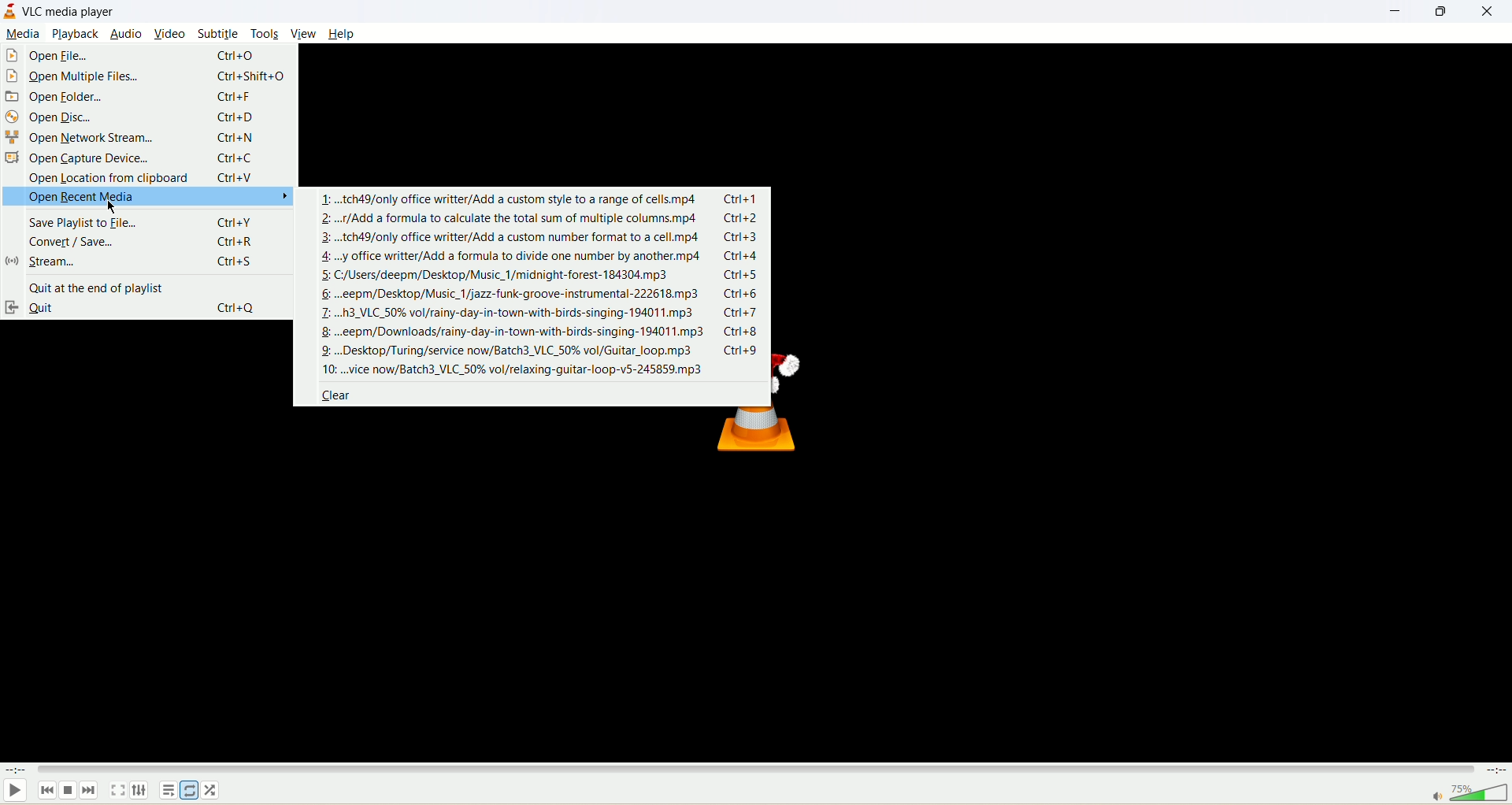 The width and height of the screenshot is (1512, 805). I want to click on ctrl+2, so click(745, 219).